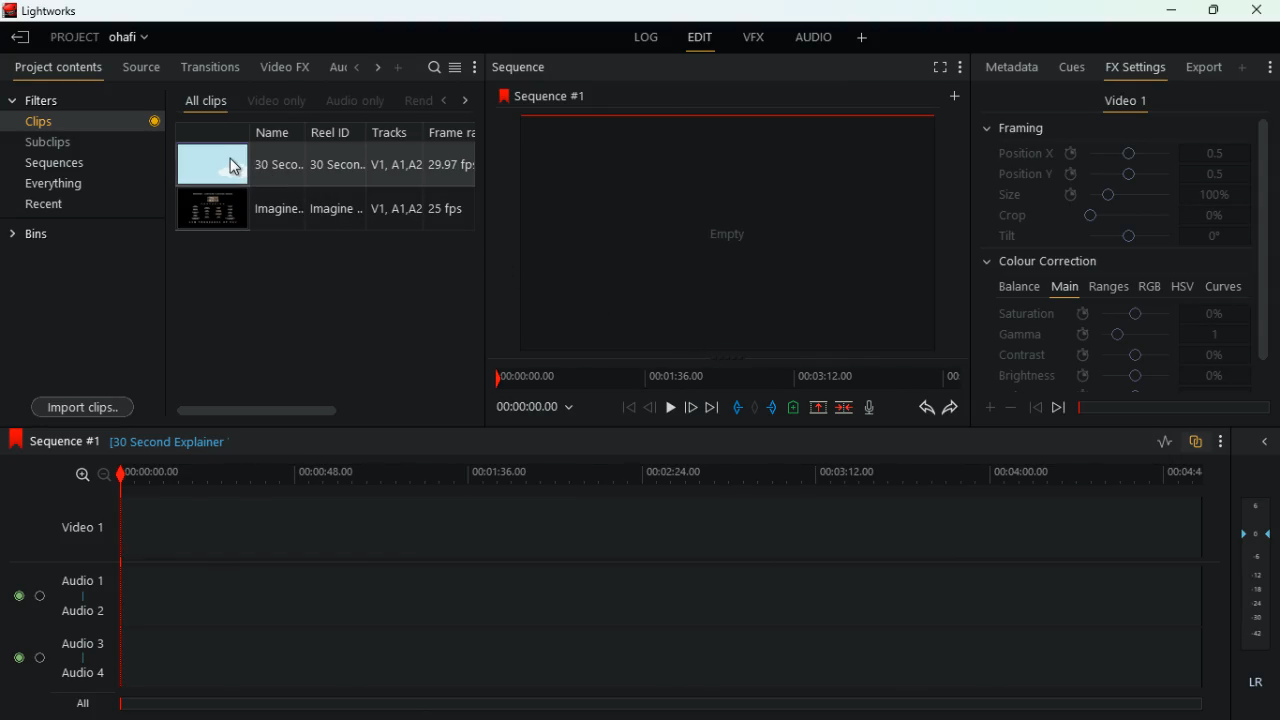 The width and height of the screenshot is (1280, 720). I want to click on audio 1, so click(85, 580).